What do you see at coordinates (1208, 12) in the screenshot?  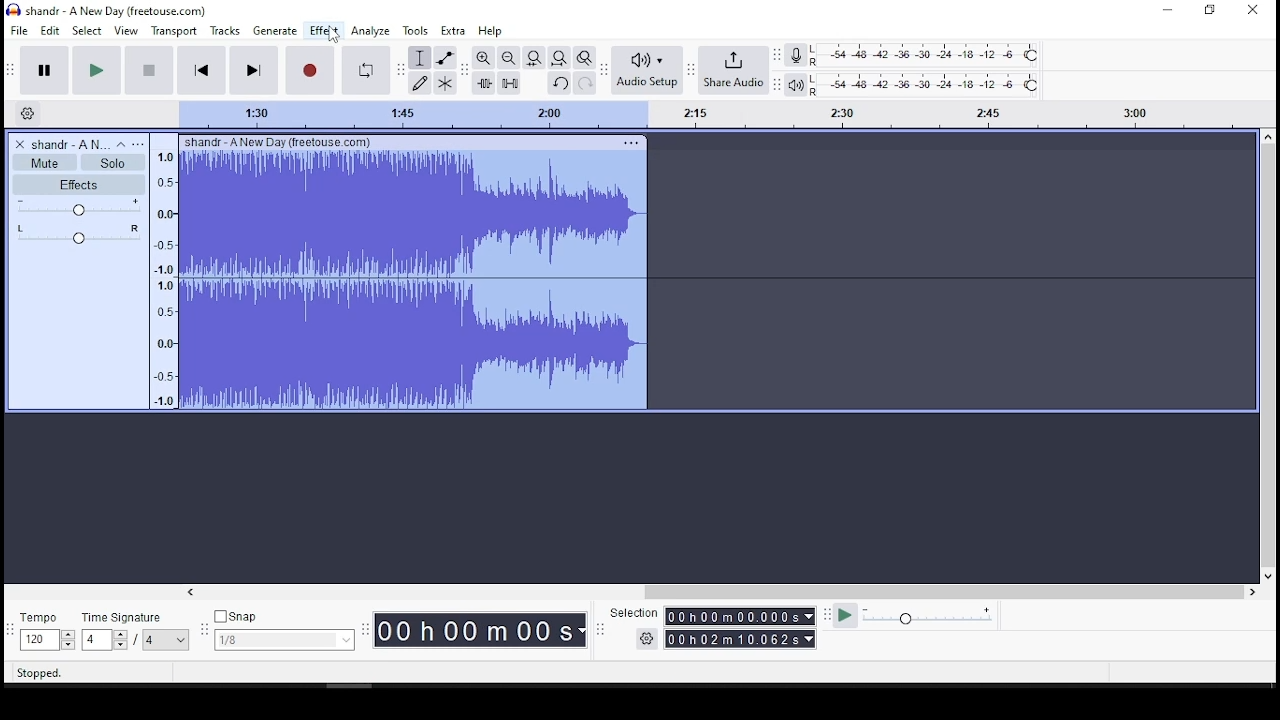 I see `restore` at bounding box center [1208, 12].